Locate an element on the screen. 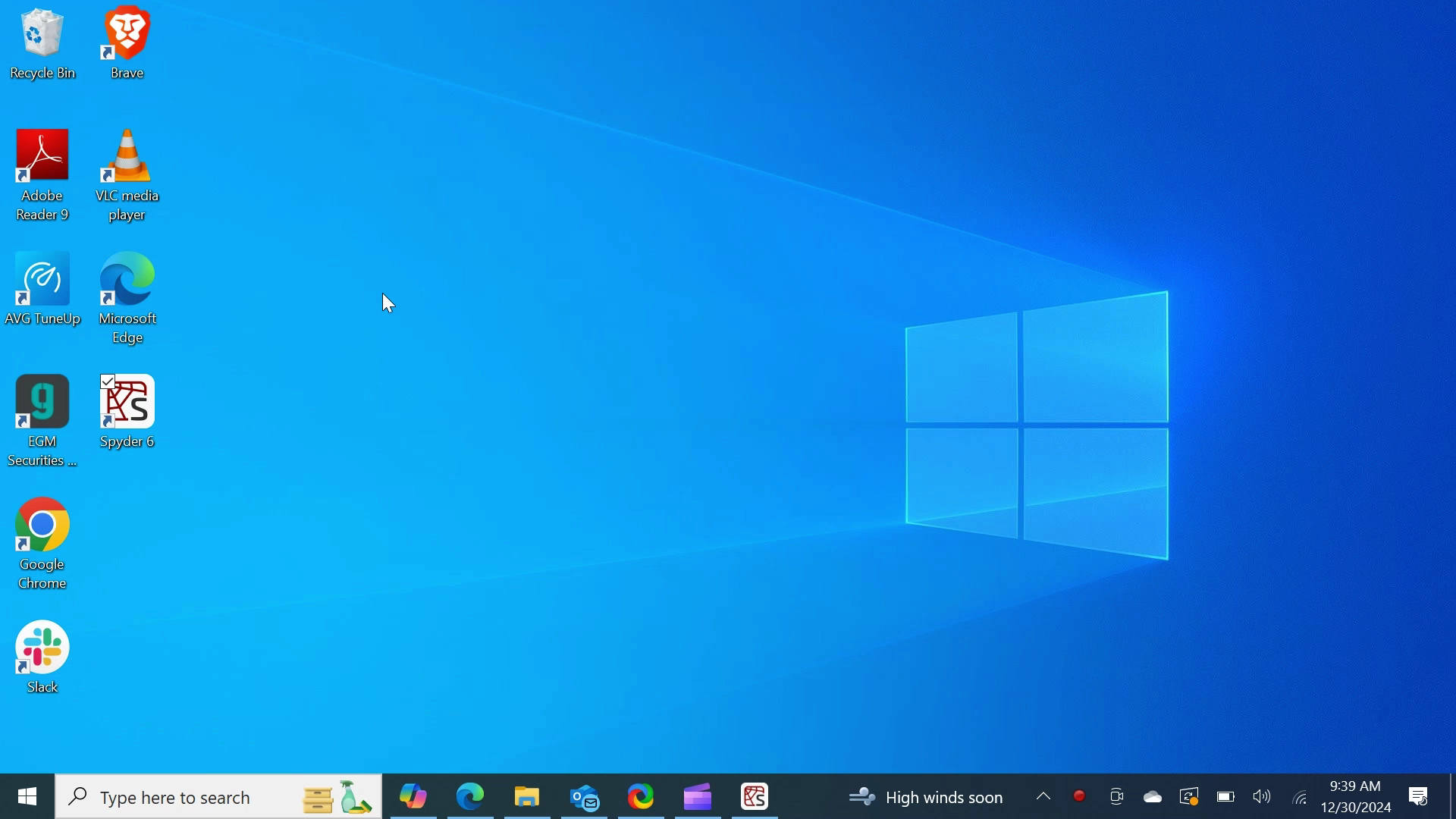 The width and height of the screenshot is (1456, 819). Restart Update is located at coordinates (1187, 795).